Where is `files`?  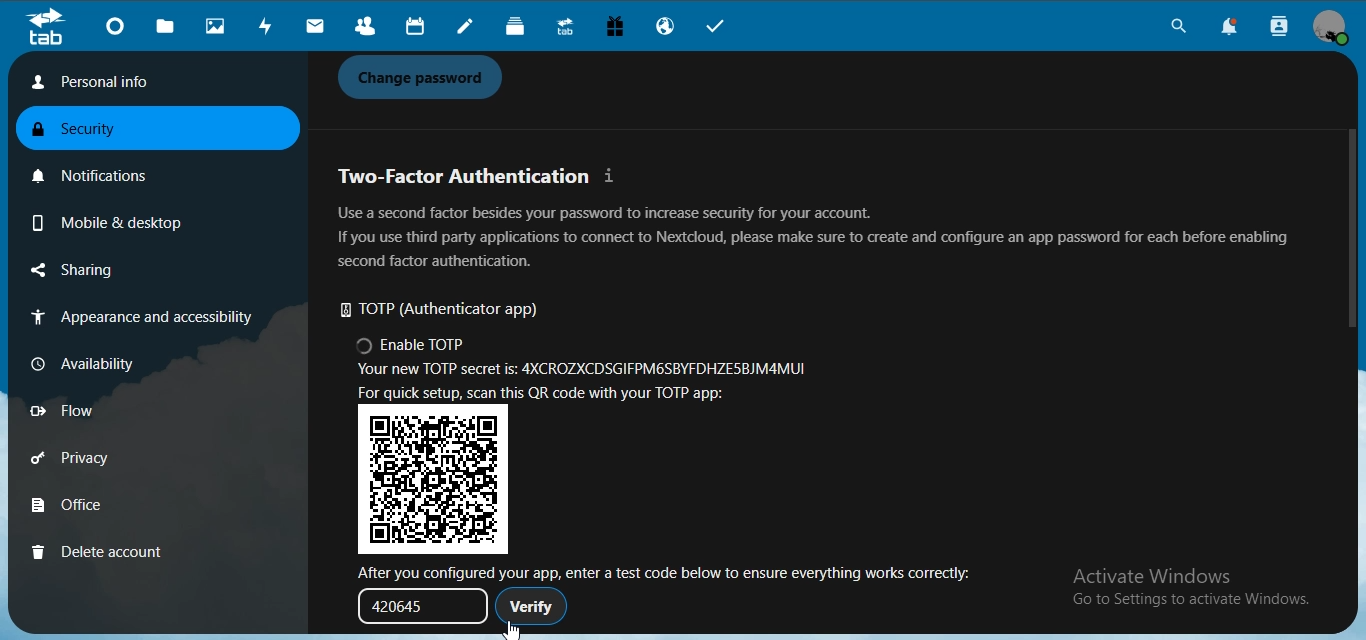
files is located at coordinates (167, 27).